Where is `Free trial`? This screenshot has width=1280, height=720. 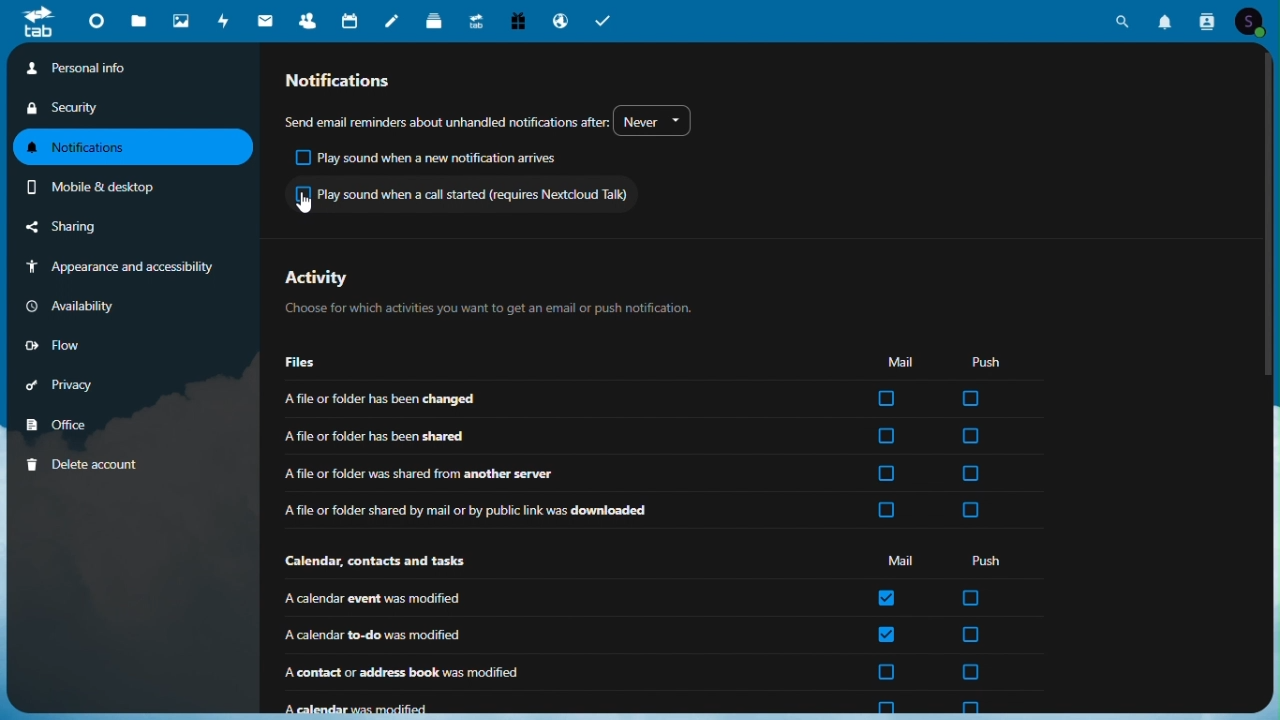 Free trial is located at coordinates (517, 20).